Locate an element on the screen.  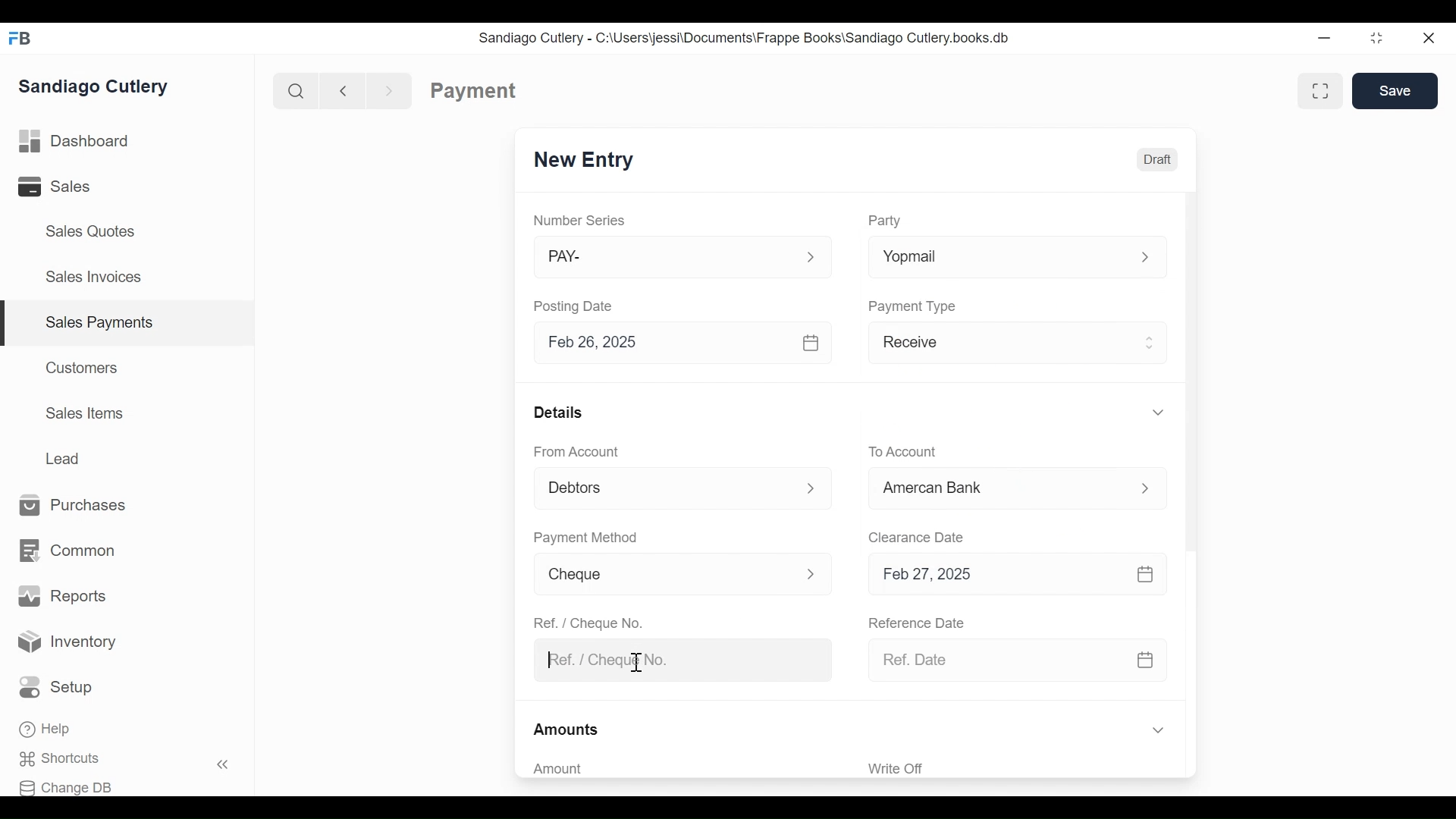
Expand is located at coordinates (1148, 489).